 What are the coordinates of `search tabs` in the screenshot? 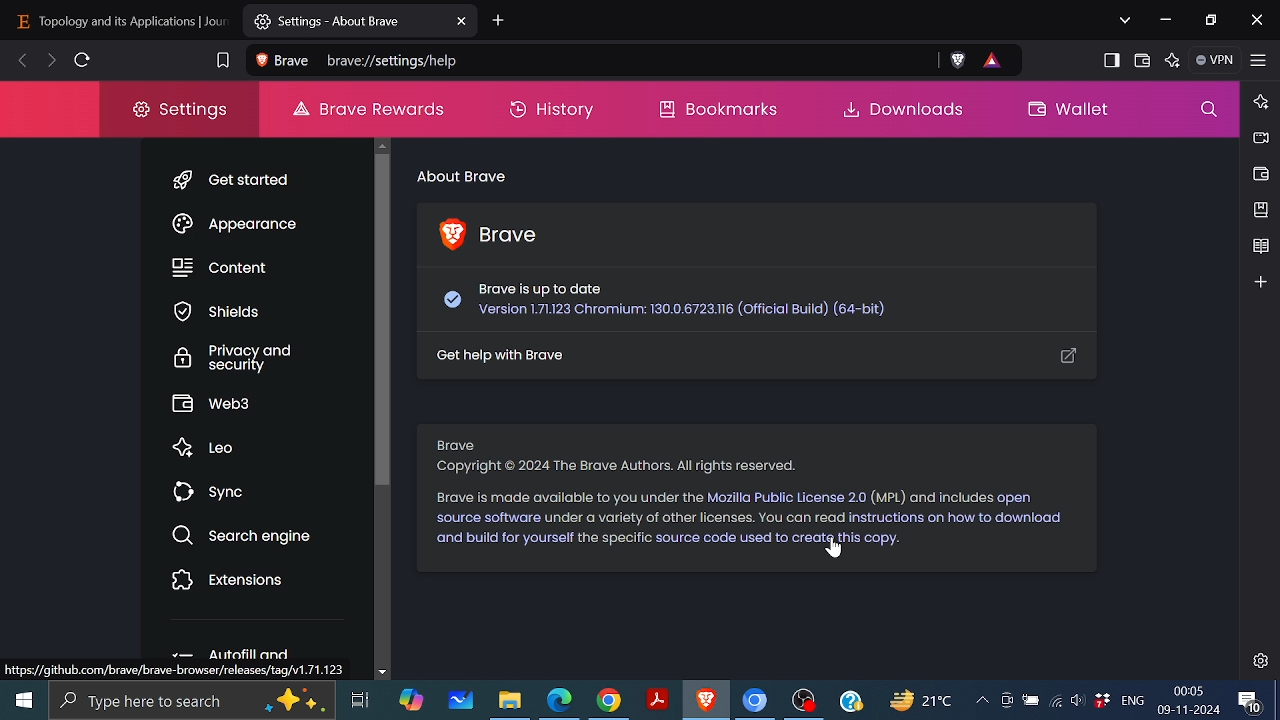 It's located at (1126, 23).